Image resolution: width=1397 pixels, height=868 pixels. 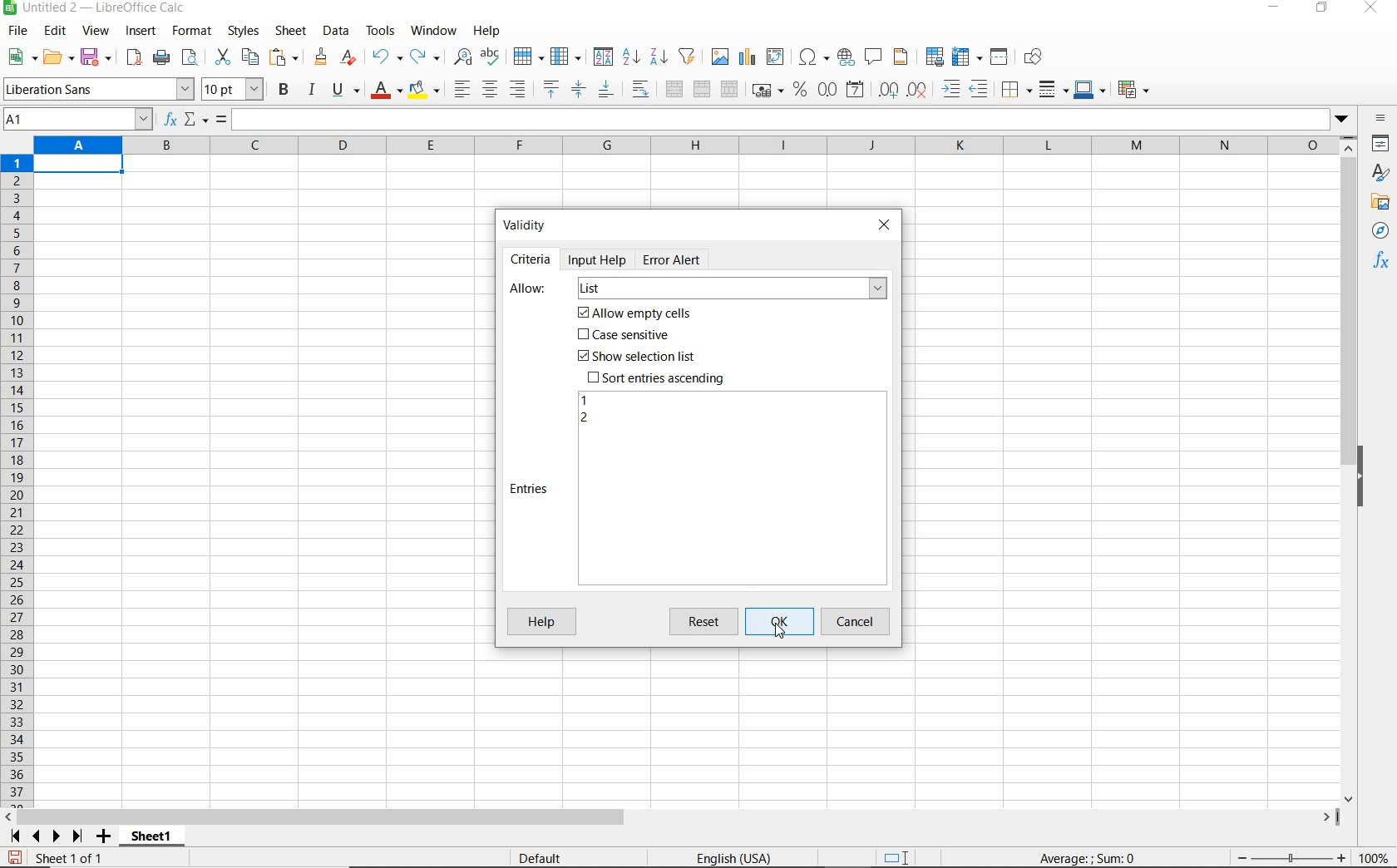 What do you see at coordinates (1381, 120) in the screenshot?
I see `sidebar settings` at bounding box center [1381, 120].